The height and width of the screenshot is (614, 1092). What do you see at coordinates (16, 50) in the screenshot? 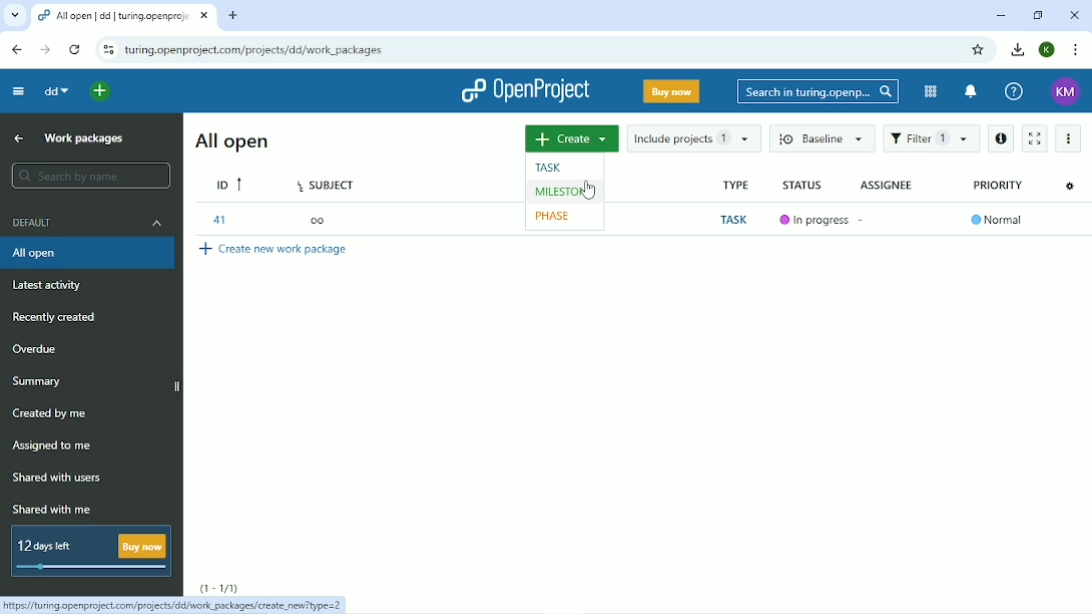
I see `Back` at bounding box center [16, 50].